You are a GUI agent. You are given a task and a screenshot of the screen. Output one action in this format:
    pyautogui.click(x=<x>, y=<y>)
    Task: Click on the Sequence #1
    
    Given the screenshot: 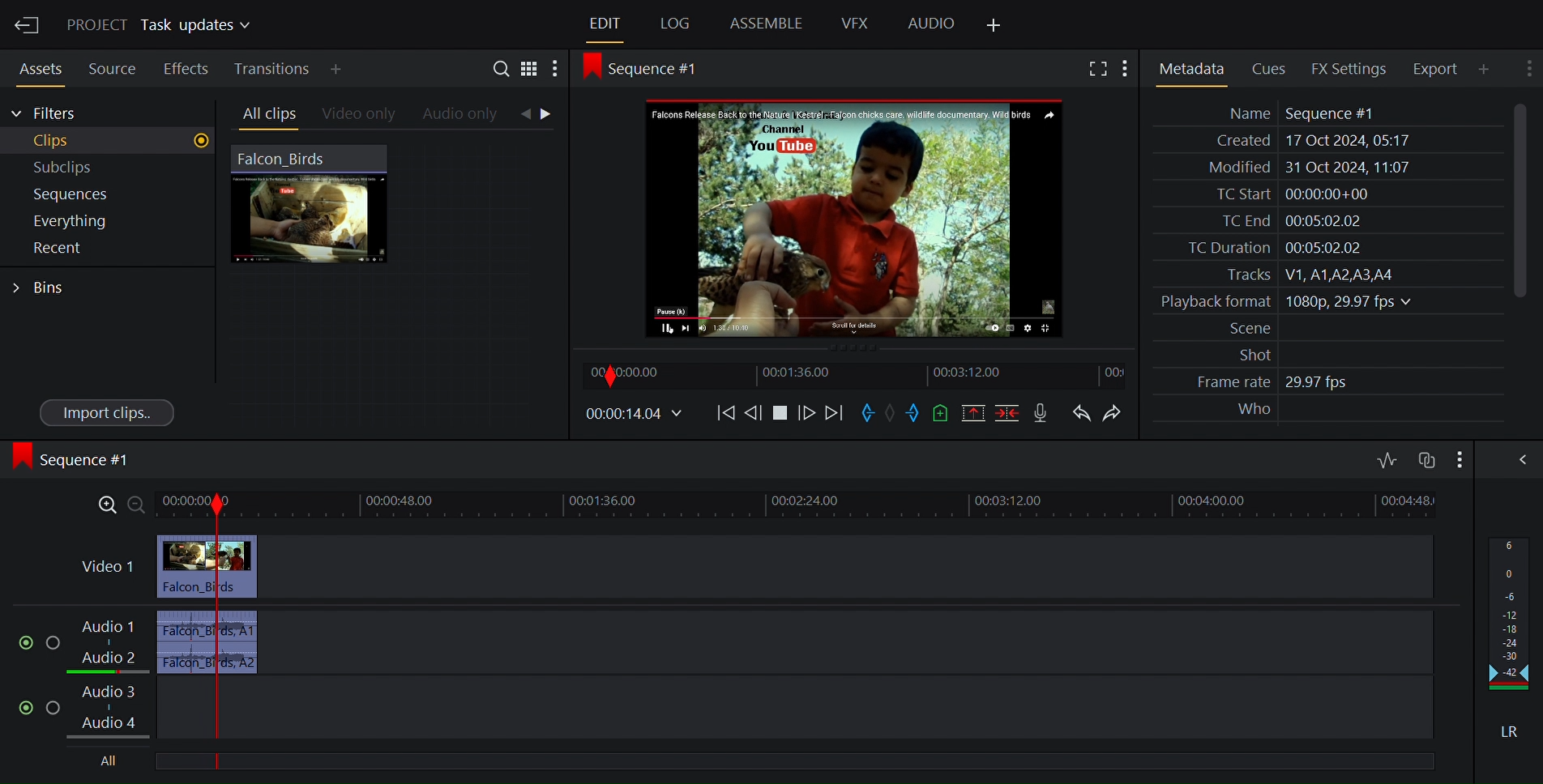 What is the action you would take?
    pyautogui.click(x=649, y=71)
    